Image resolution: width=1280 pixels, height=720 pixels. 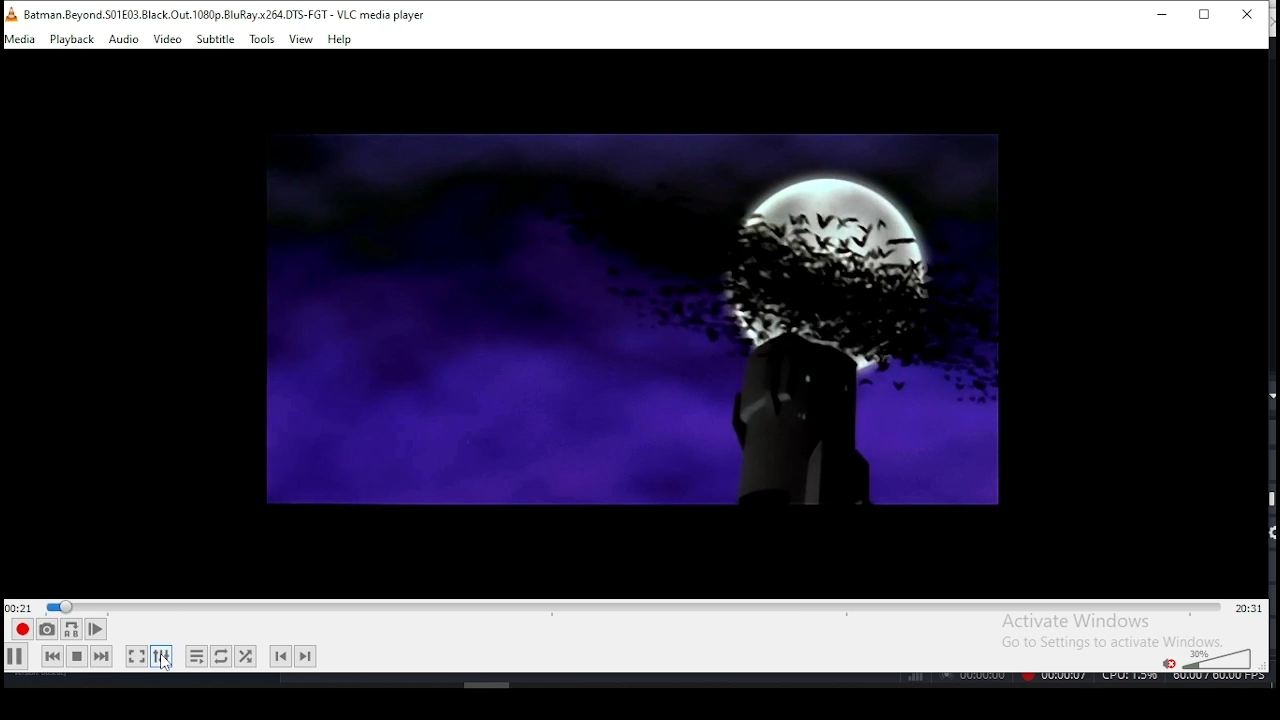 What do you see at coordinates (1216, 658) in the screenshot?
I see `colume` at bounding box center [1216, 658].